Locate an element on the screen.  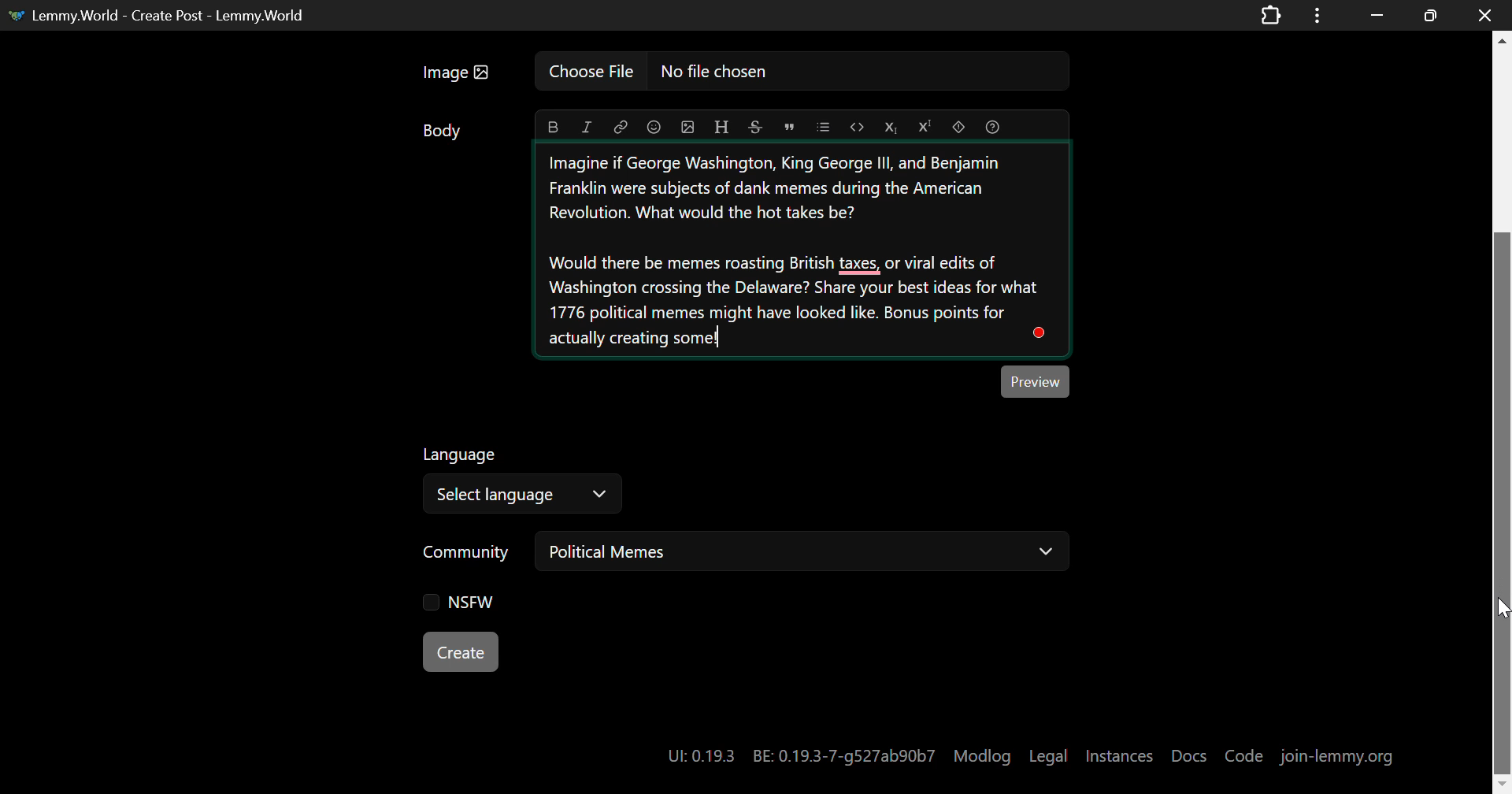
join-lemmy.org is located at coordinates (1336, 756).